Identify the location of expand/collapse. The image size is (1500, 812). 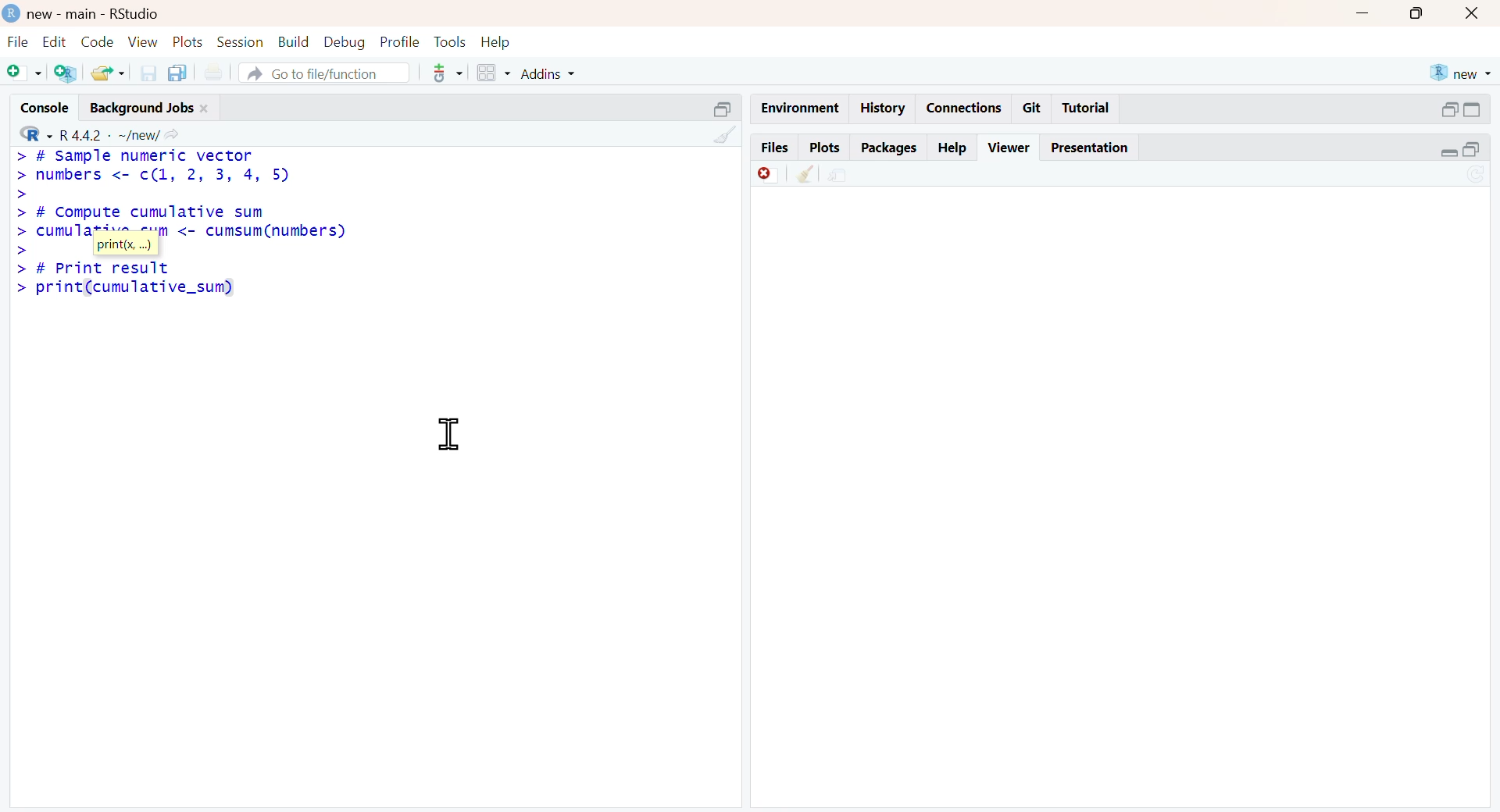
(1474, 110).